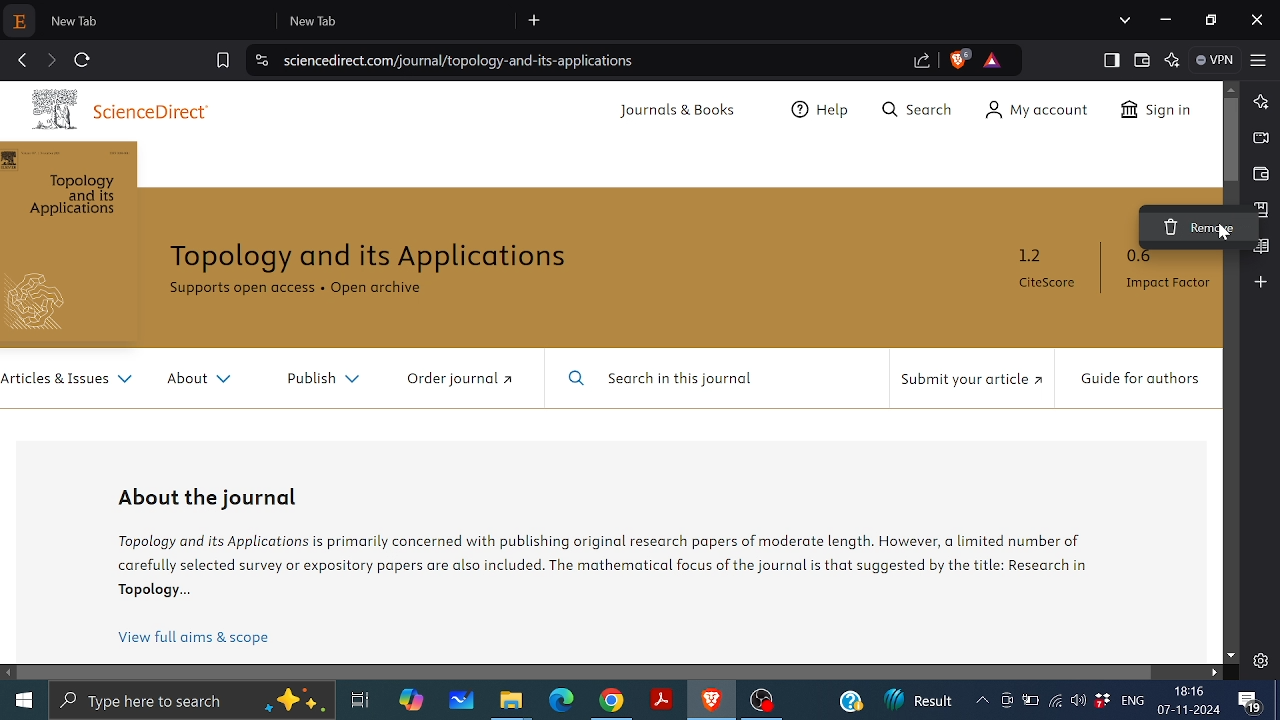 This screenshot has width=1280, height=720. I want to click on Topology and its applications, so click(373, 258).